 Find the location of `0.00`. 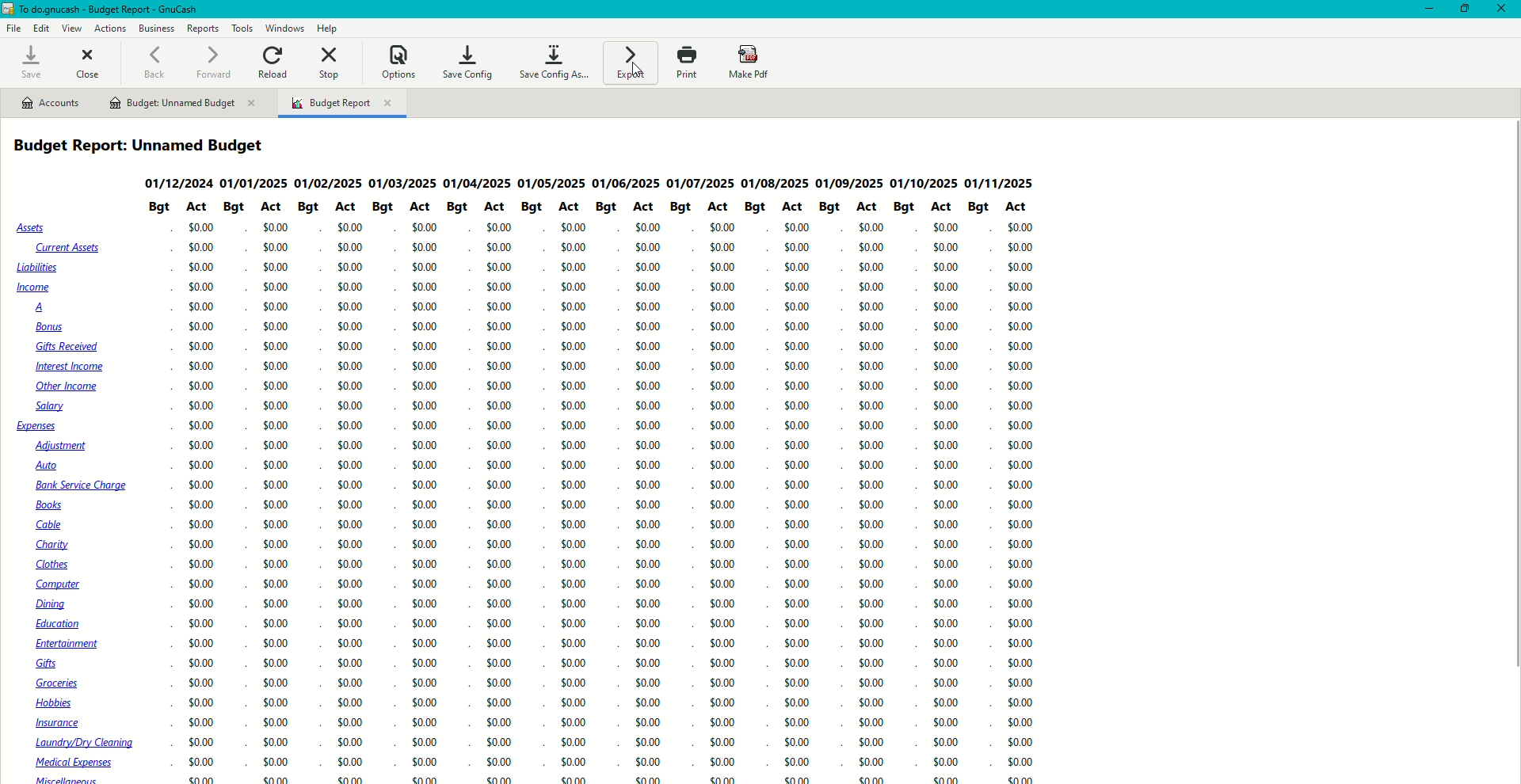

0.00 is located at coordinates (277, 504).